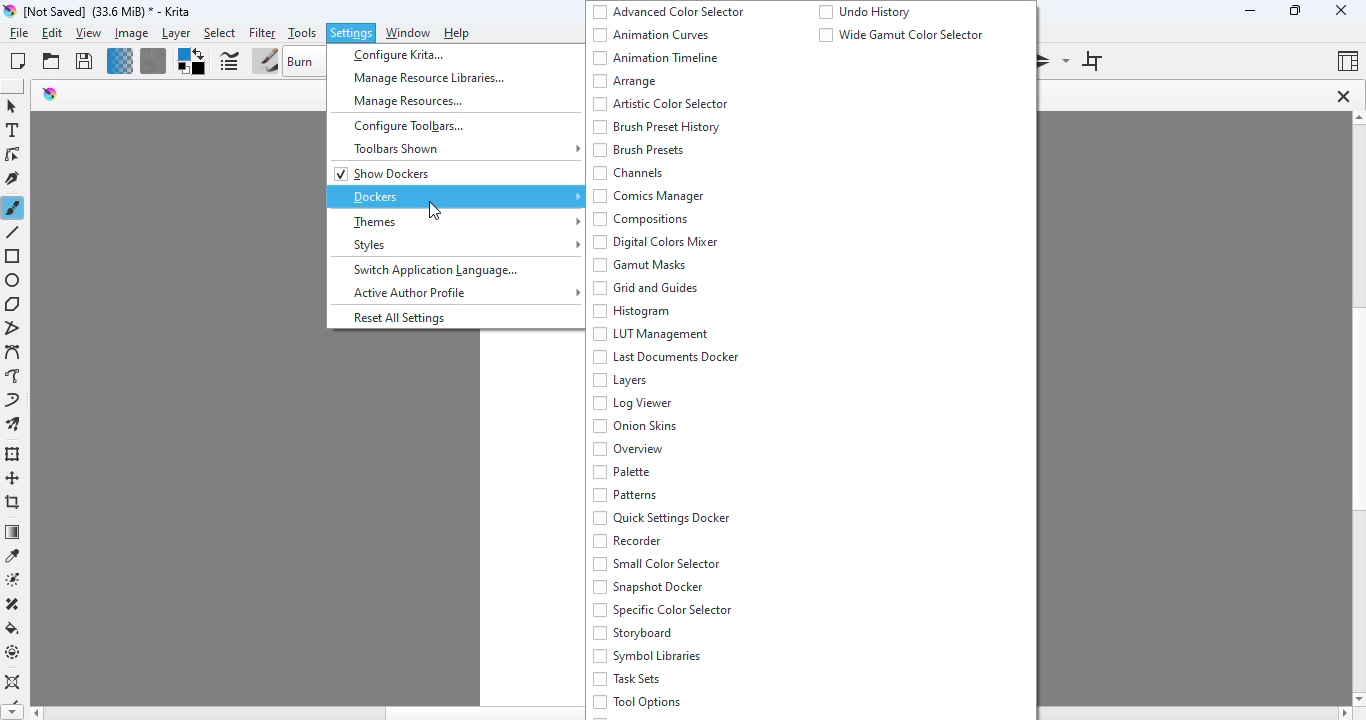  I want to click on draw a gradient, so click(13, 532).